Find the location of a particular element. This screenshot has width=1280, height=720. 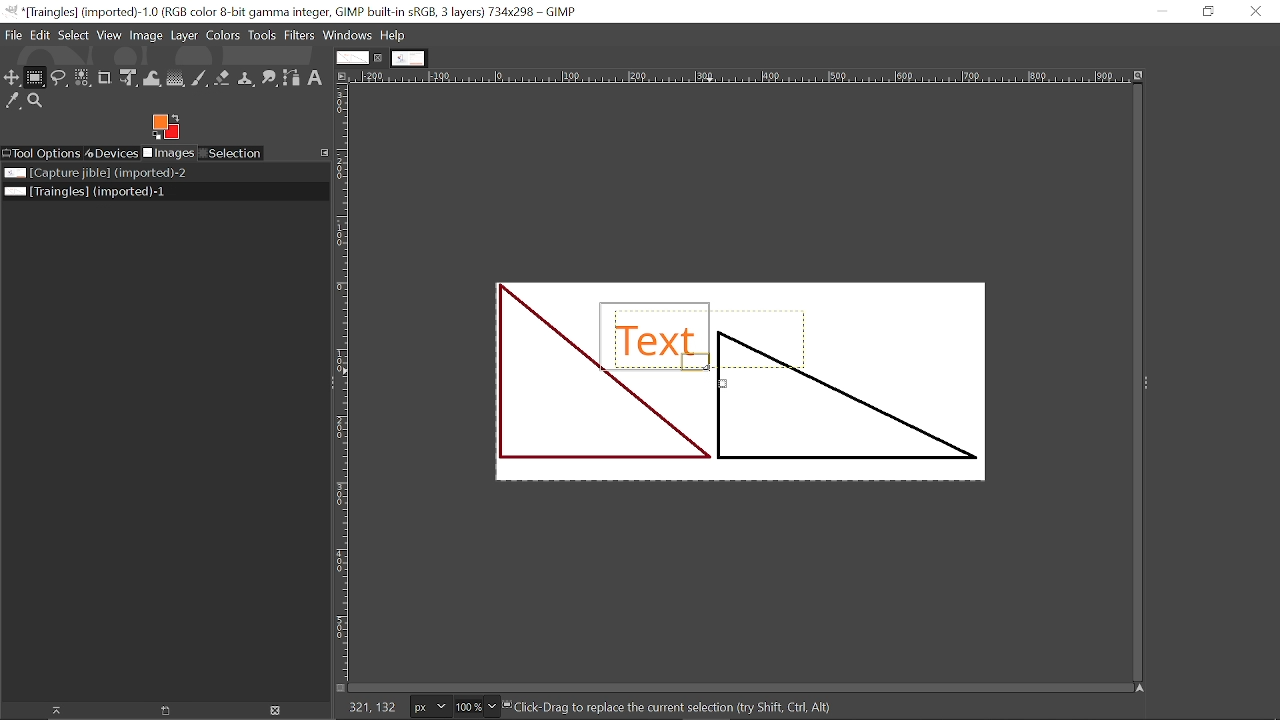

Horizonta label is located at coordinates (740, 77).